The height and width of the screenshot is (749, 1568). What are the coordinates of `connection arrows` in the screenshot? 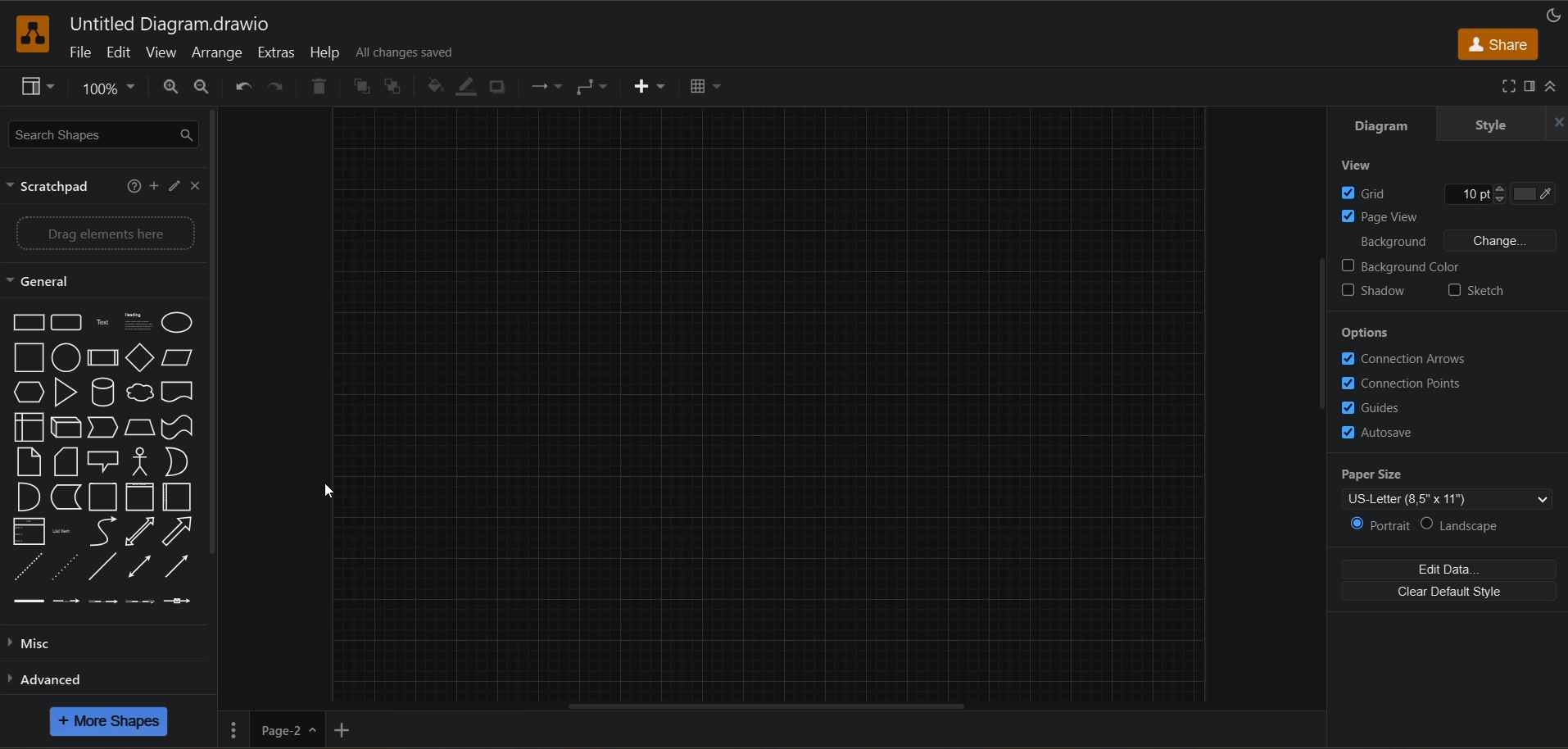 It's located at (1404, 361).